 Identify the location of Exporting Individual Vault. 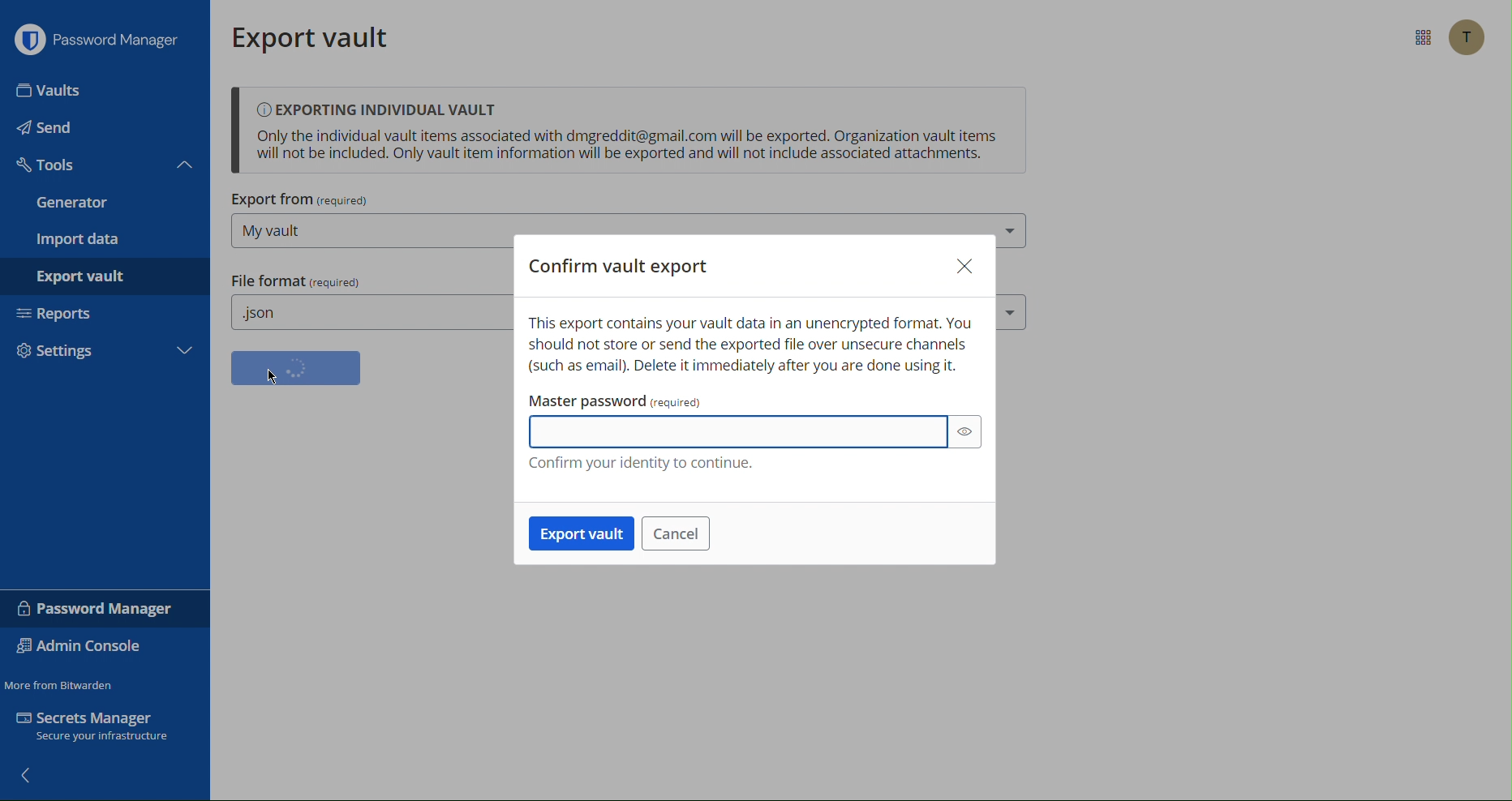
(628, 132).